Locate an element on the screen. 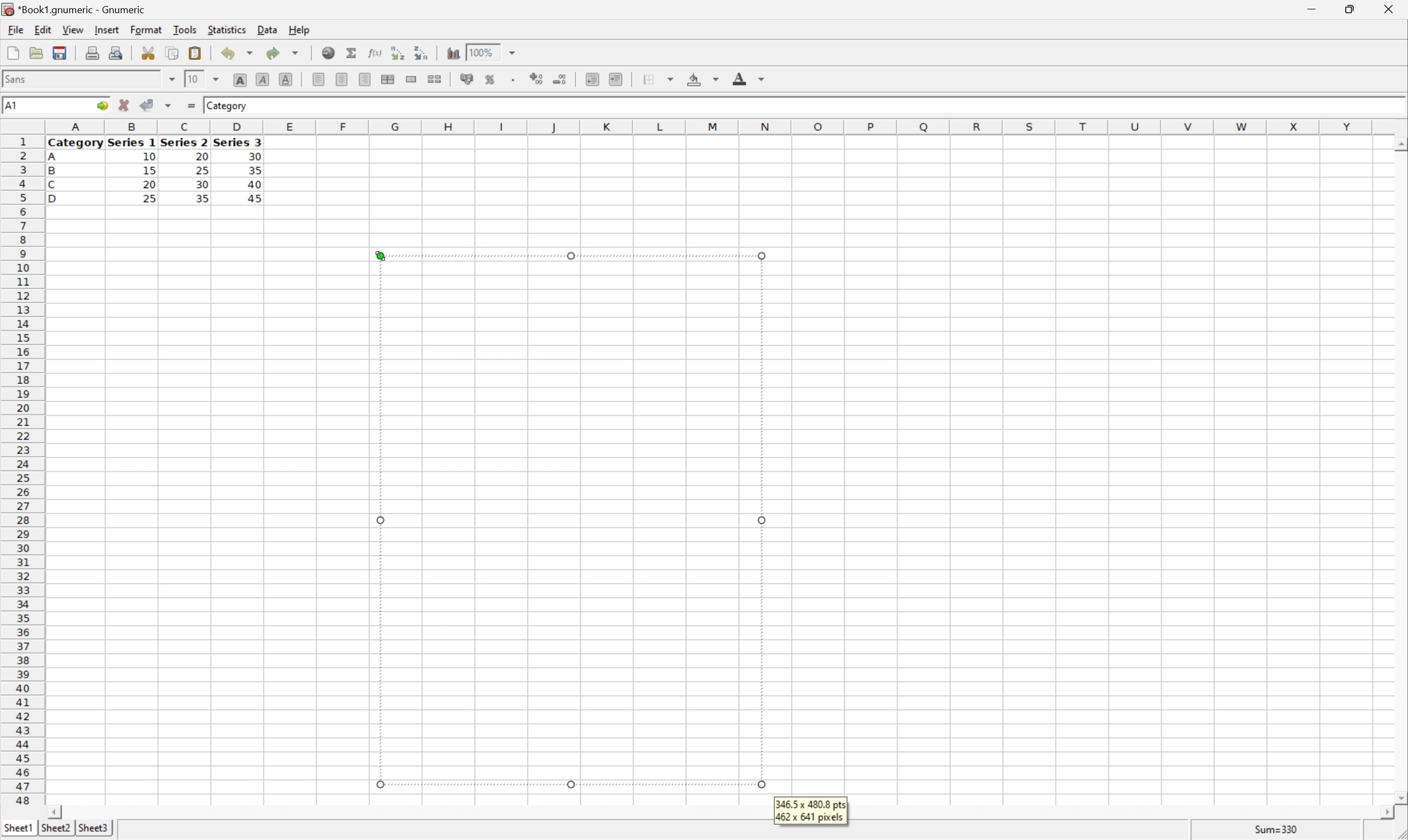 This screenshot has height=840, width=1408. Drop Down is located at coordinates (172, 79).